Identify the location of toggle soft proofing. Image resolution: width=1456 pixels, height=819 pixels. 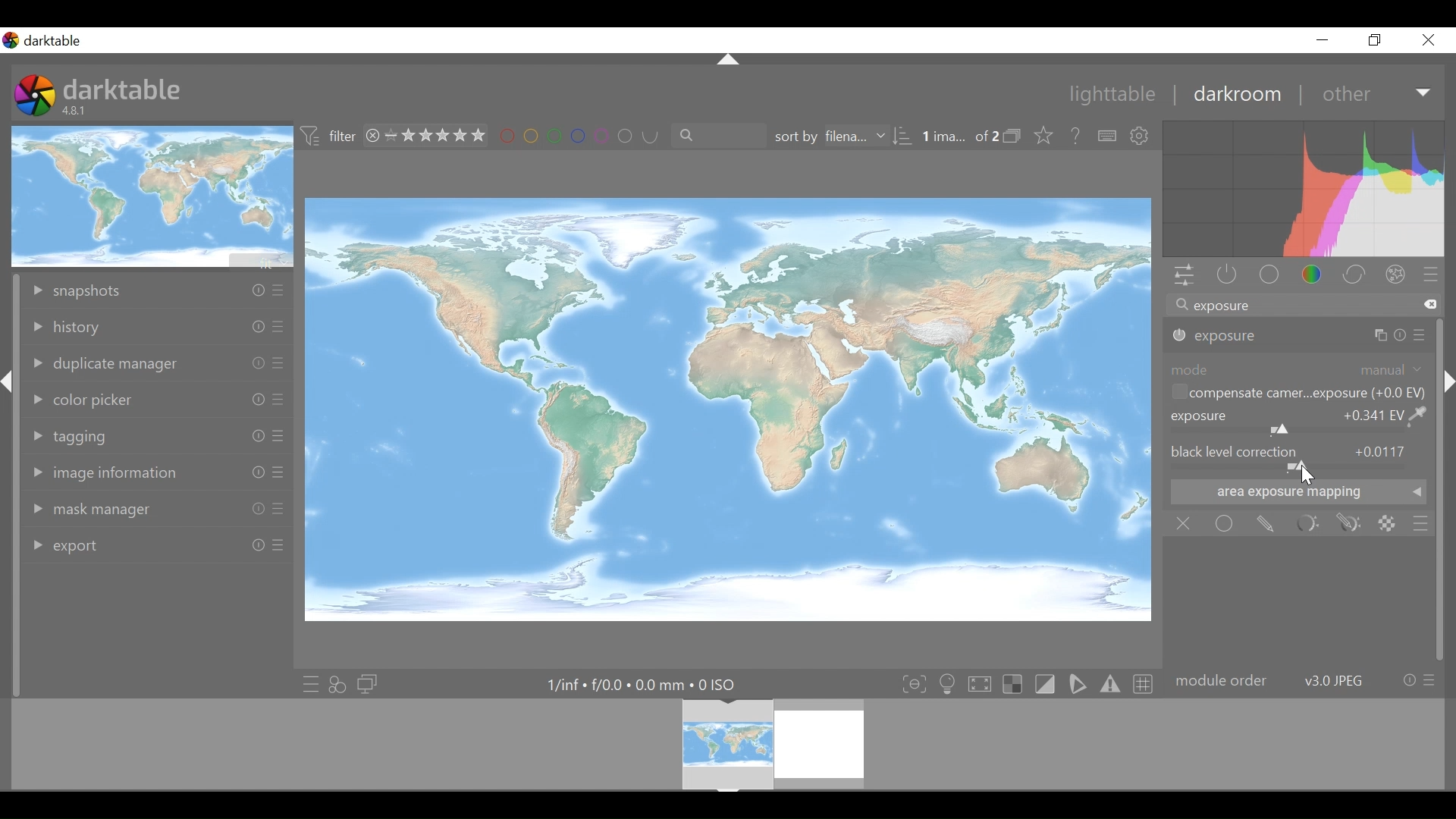
(1077, 685).